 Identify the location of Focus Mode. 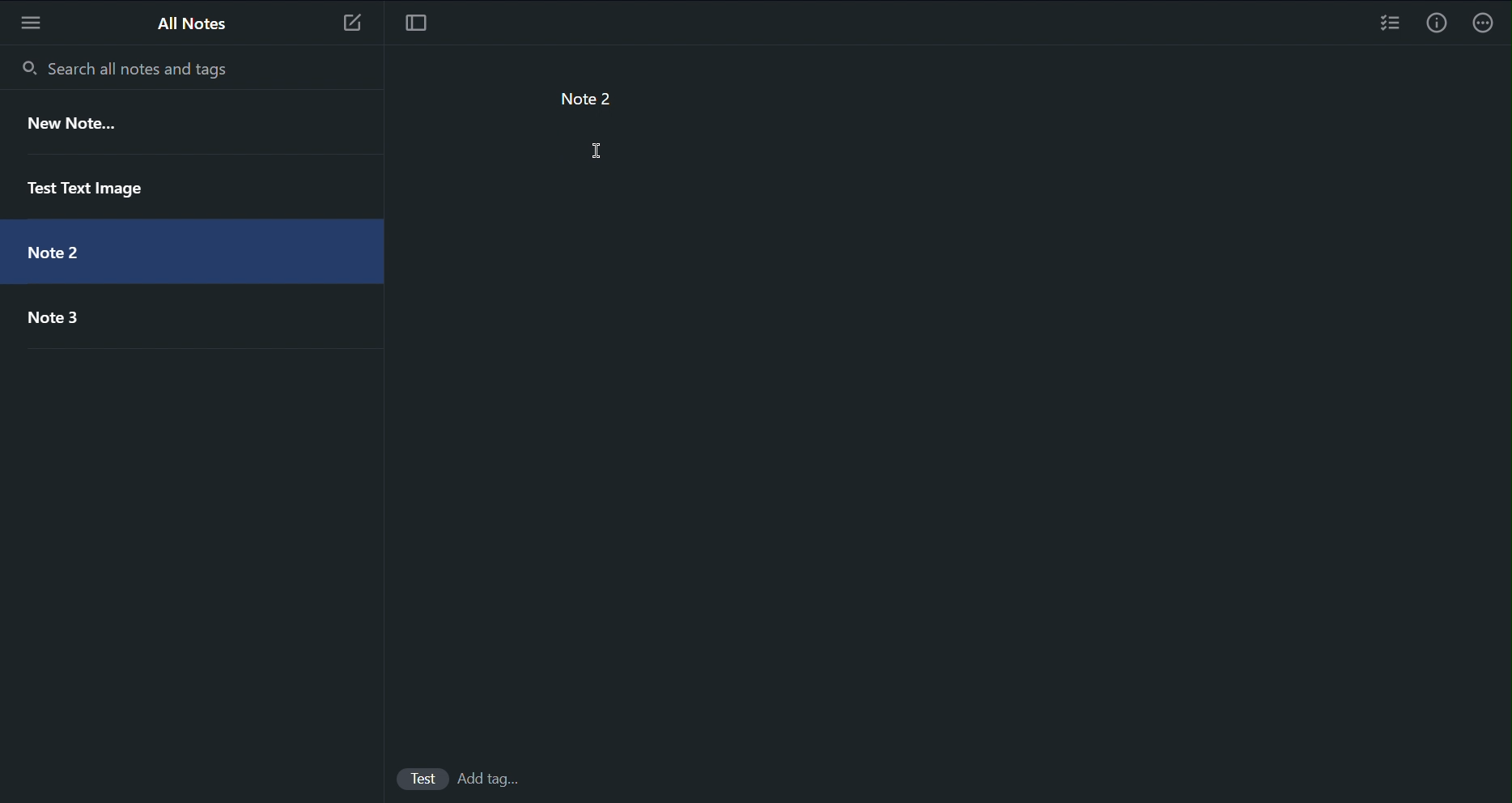
(413, 20).